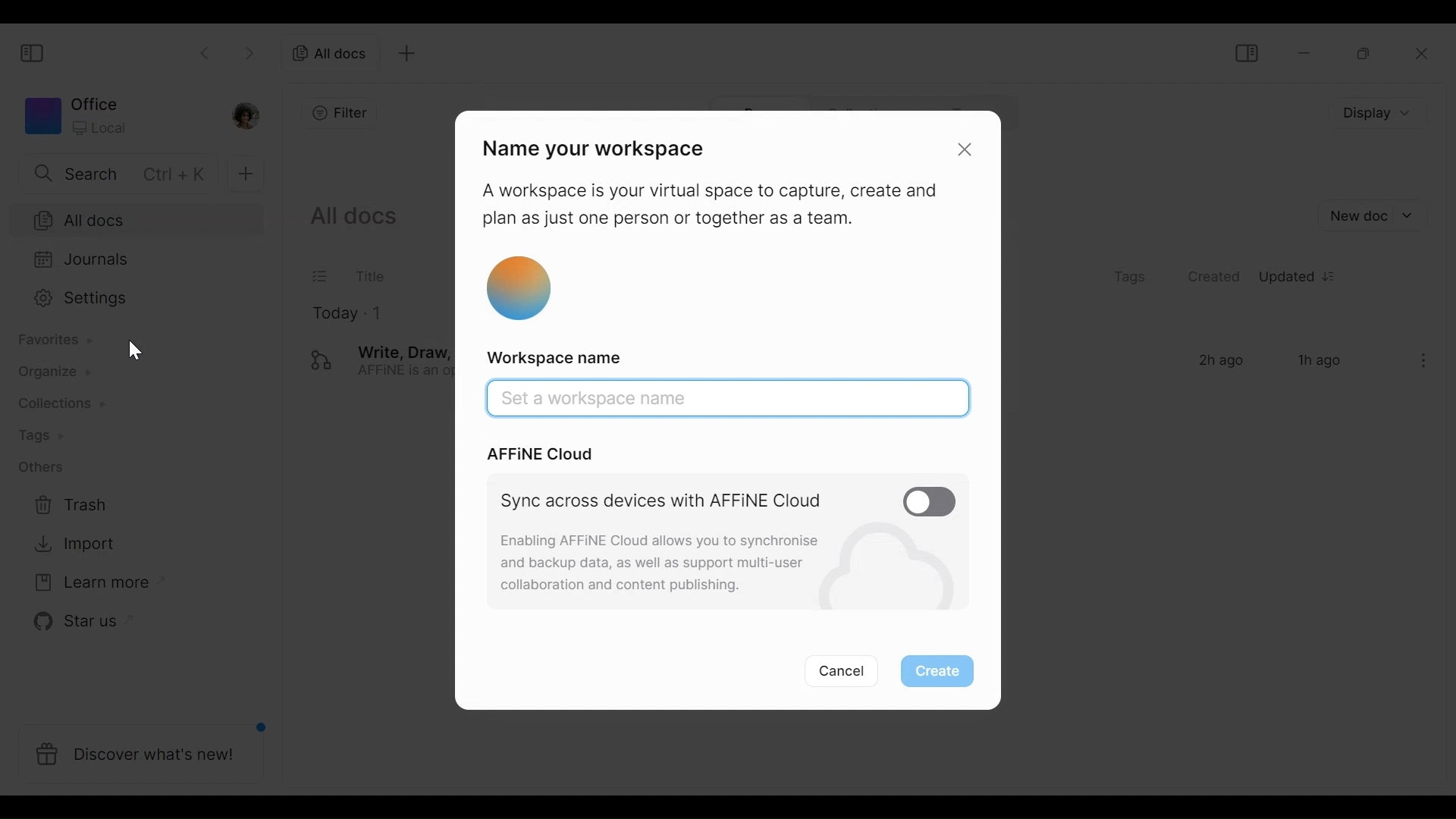 The image size is (1456, 819). I want to click on Discover what's new, so click(140, 751).